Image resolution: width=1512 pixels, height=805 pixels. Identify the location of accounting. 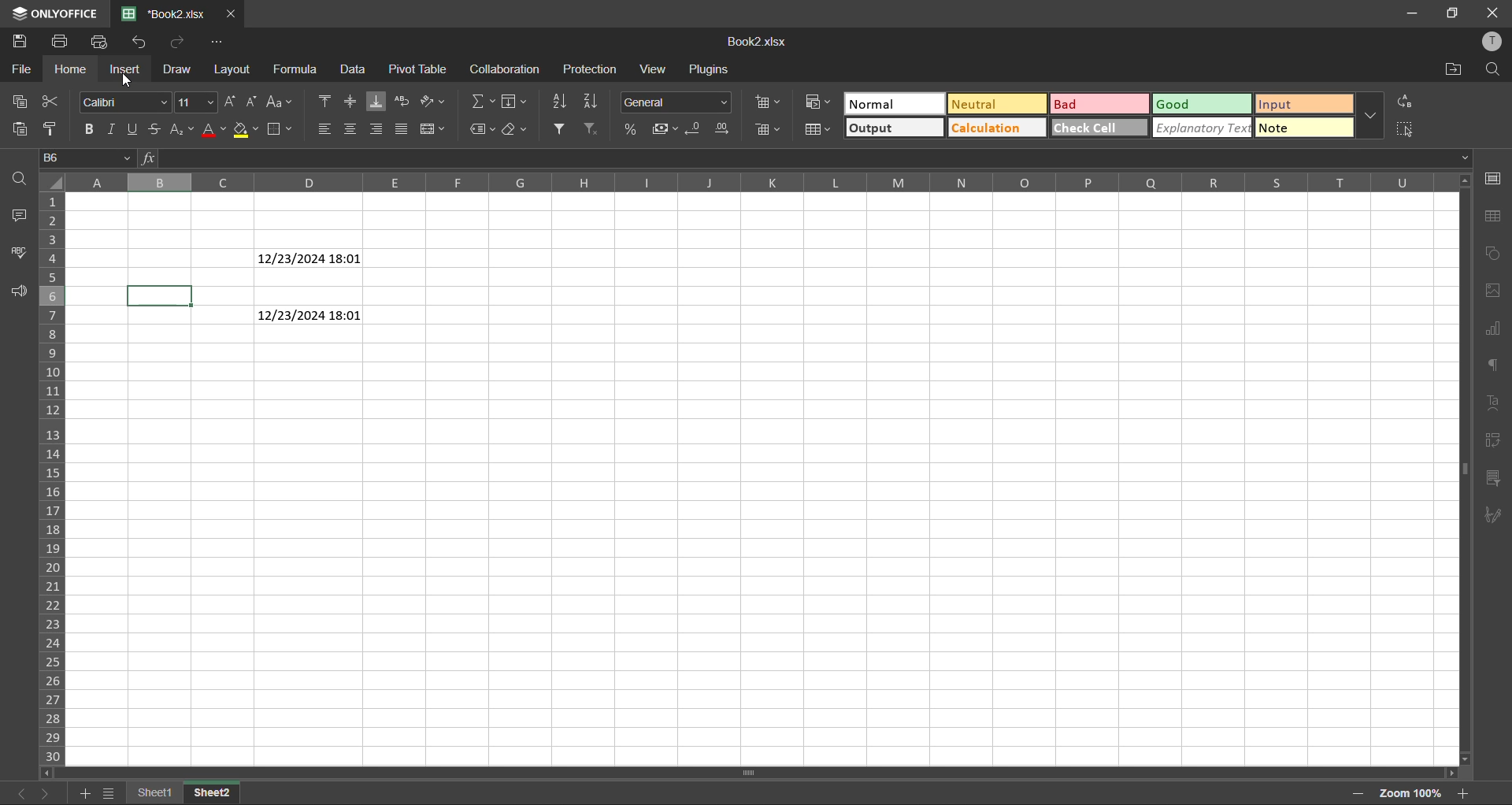
(668, 129).